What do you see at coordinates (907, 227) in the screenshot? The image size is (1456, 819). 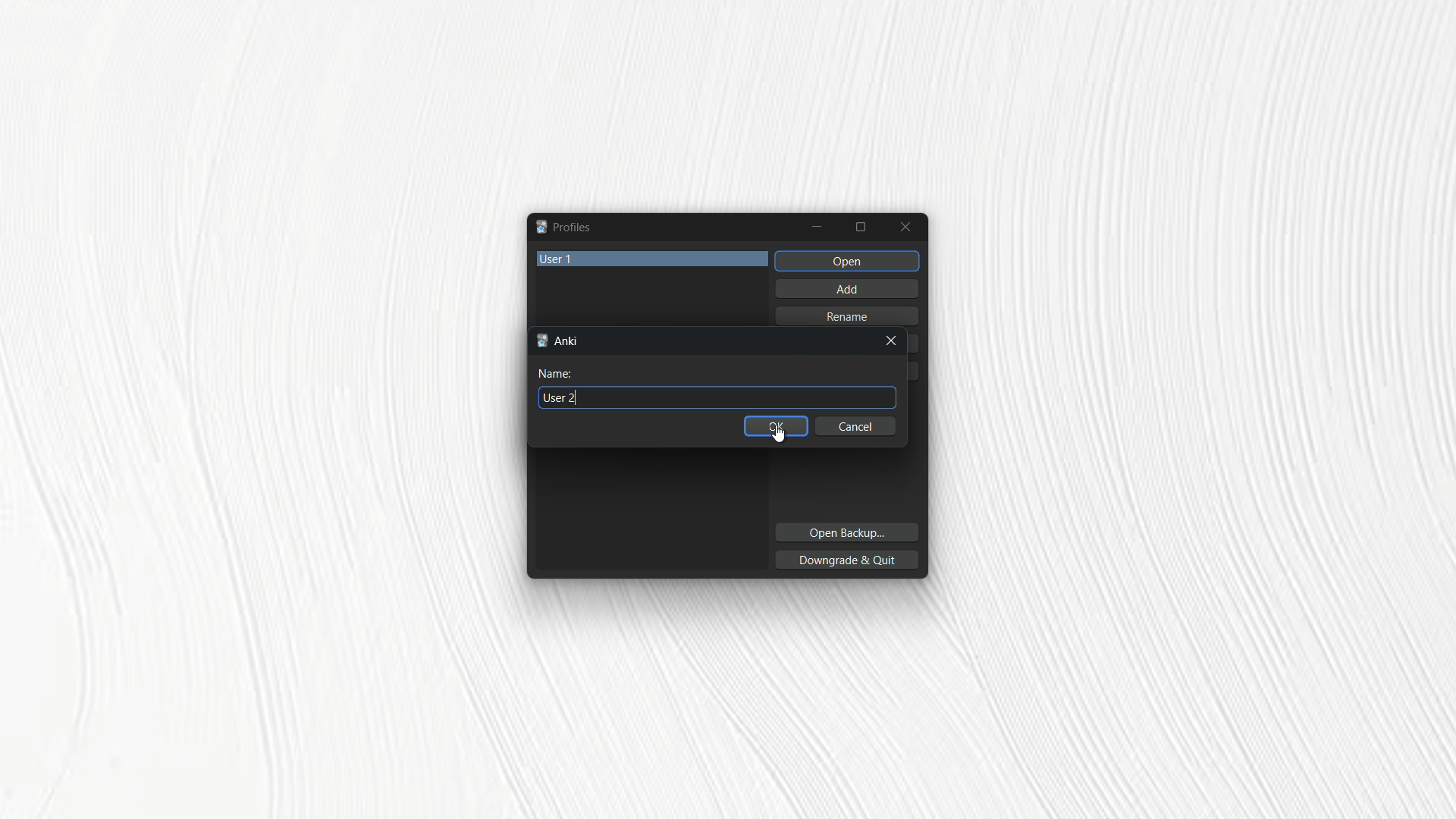 I see `Close window` at bounding box center [907, 227].